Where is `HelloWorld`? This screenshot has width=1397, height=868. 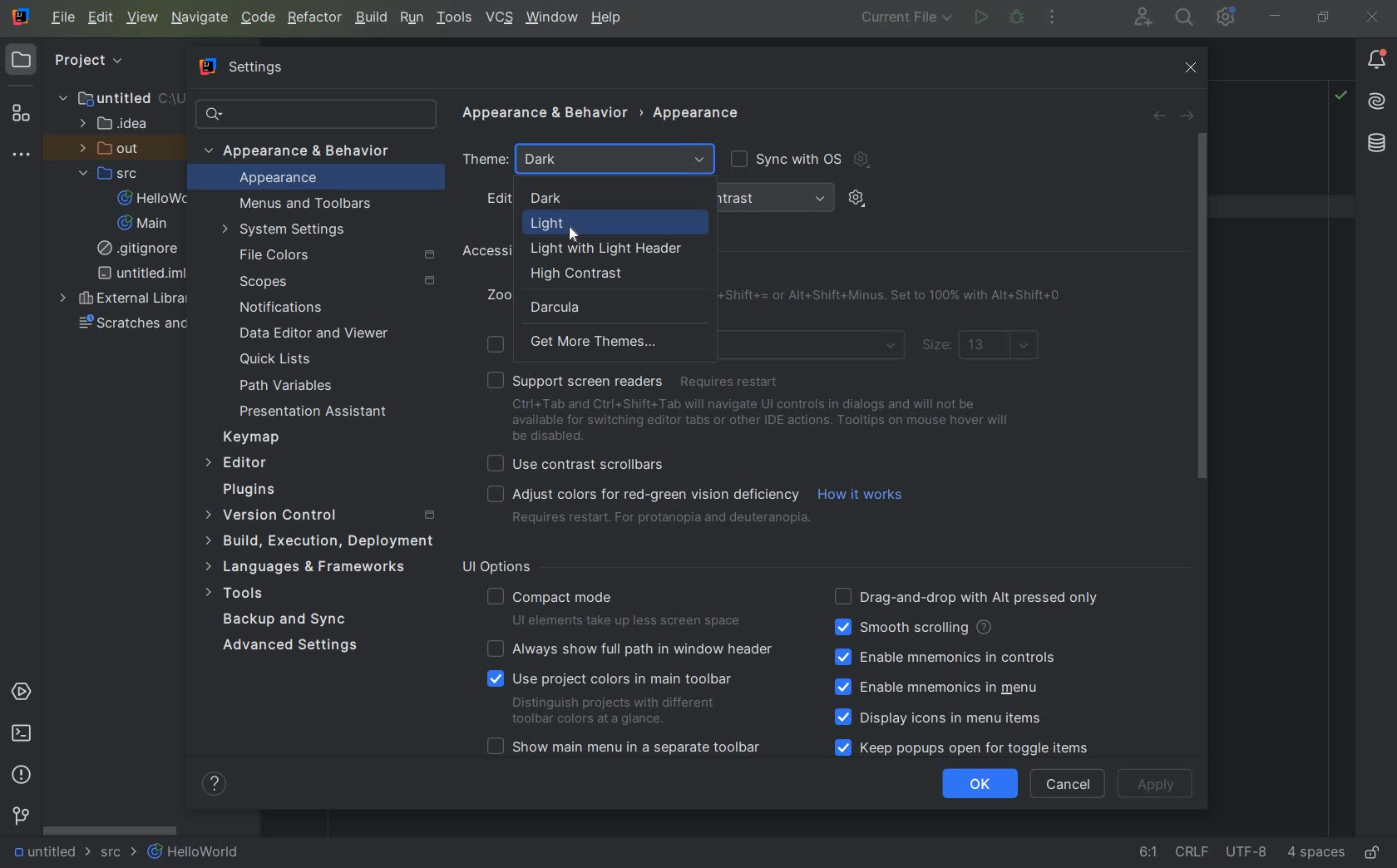
HelloWorld is located at coordinates (195, 853).